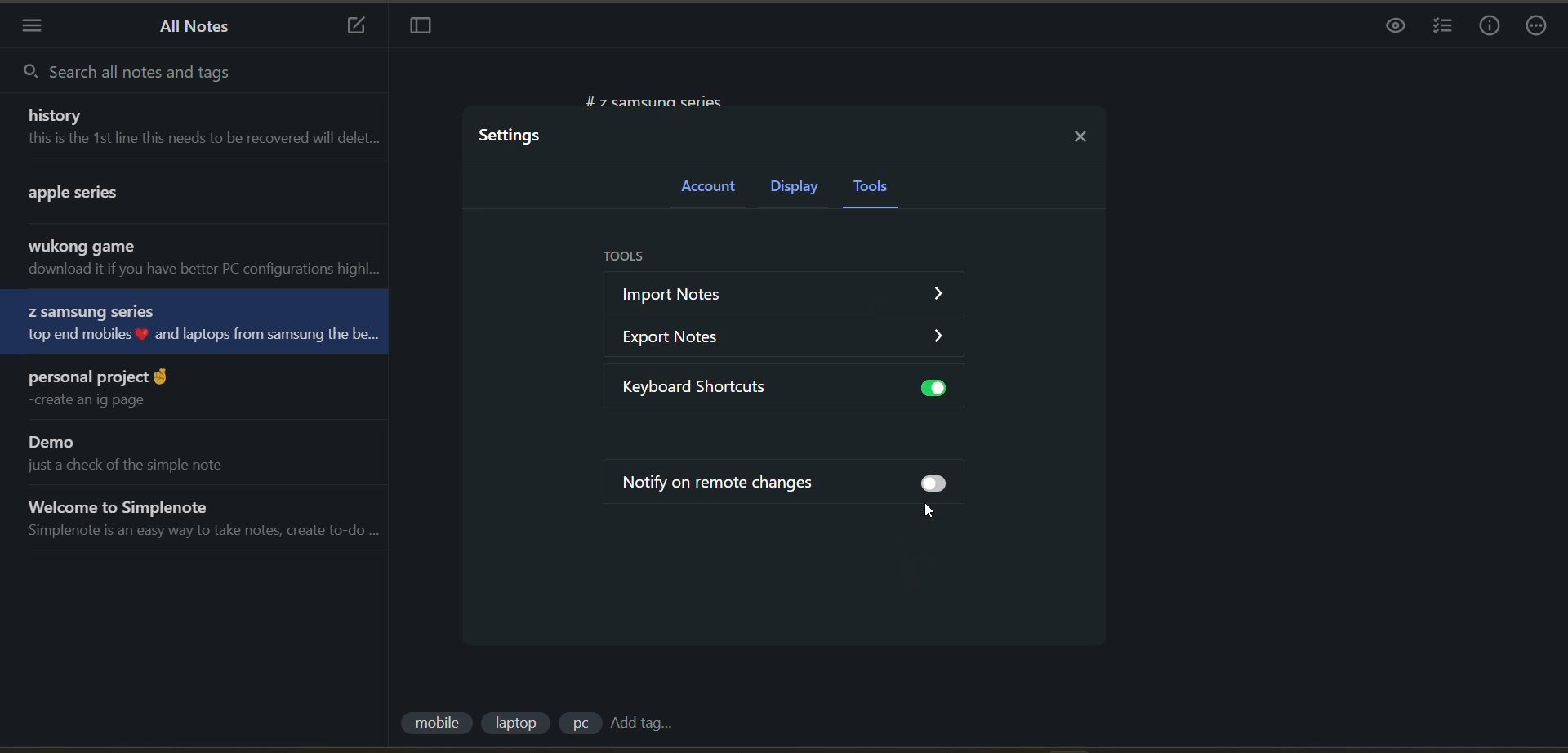 Image resolution: width=1568 pixels, height=753 pixels. What do you see at coordinates (356, 27) in the screenshot?
I see `new note` at bounding box center [356, 27].